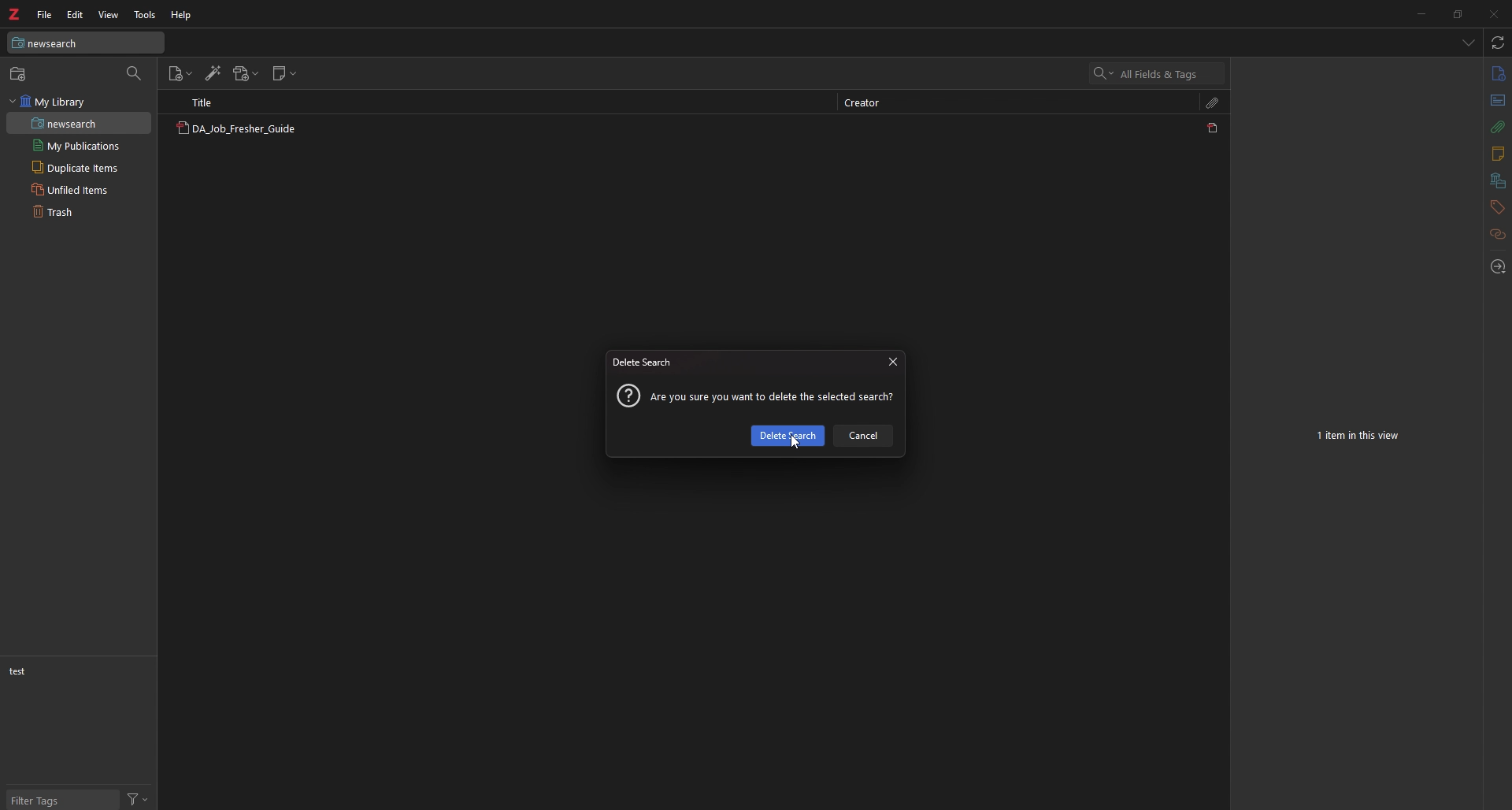 The width and height of the screenshot is (1512, 810). I want to click on Search options, so click(1098, 73).